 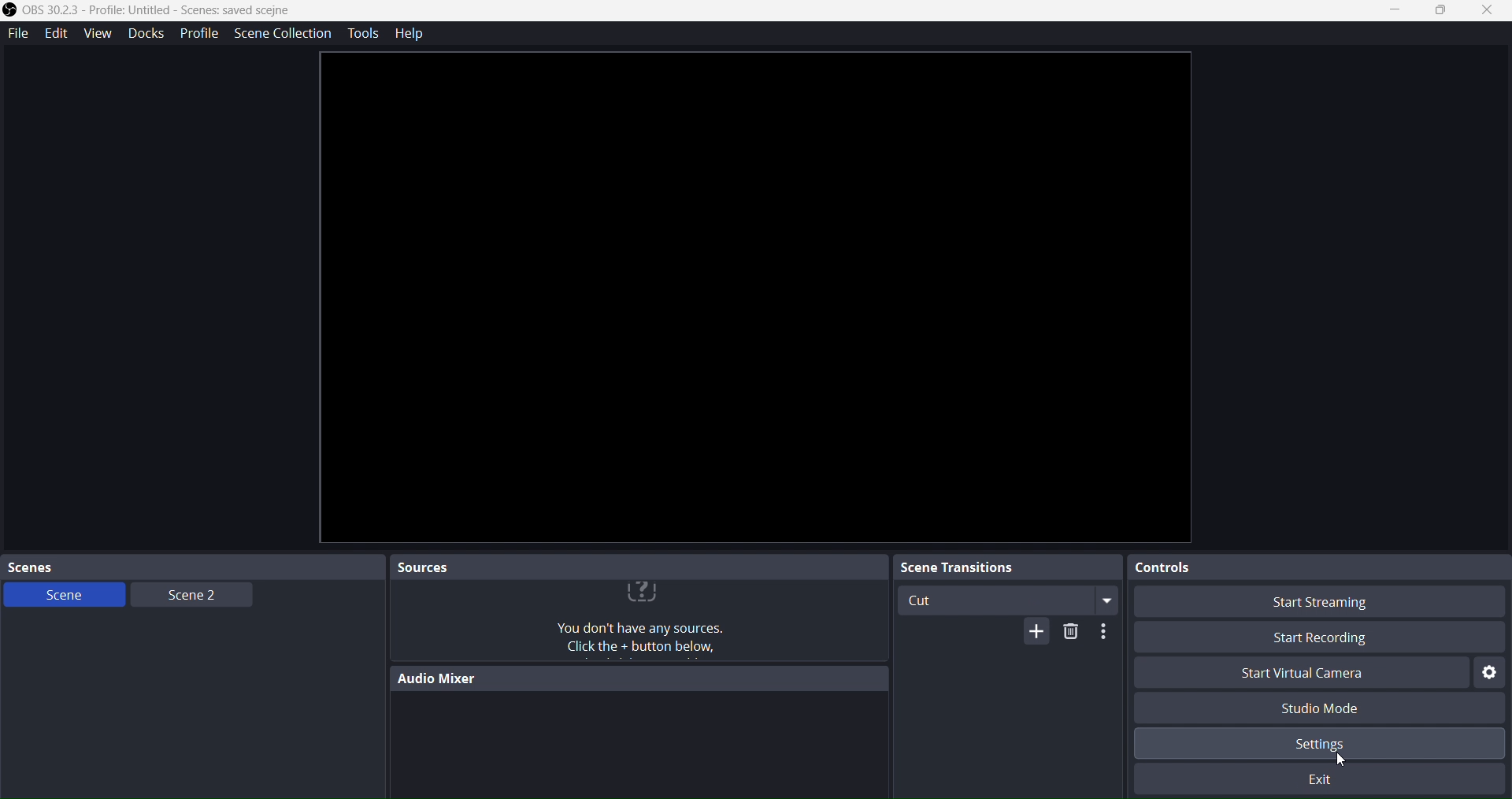 I want to click on More, so click(x=1102, y=633).